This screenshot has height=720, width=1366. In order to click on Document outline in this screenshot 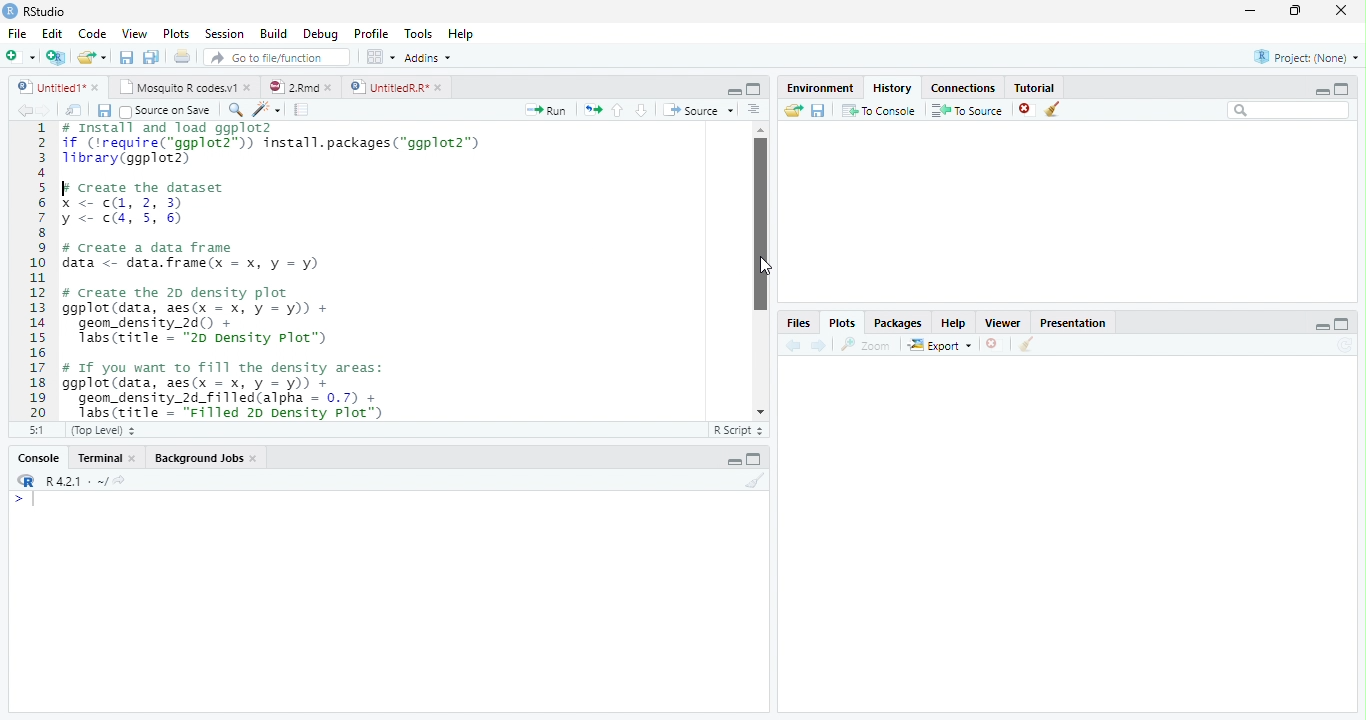, I will do `click(754, 111)`.